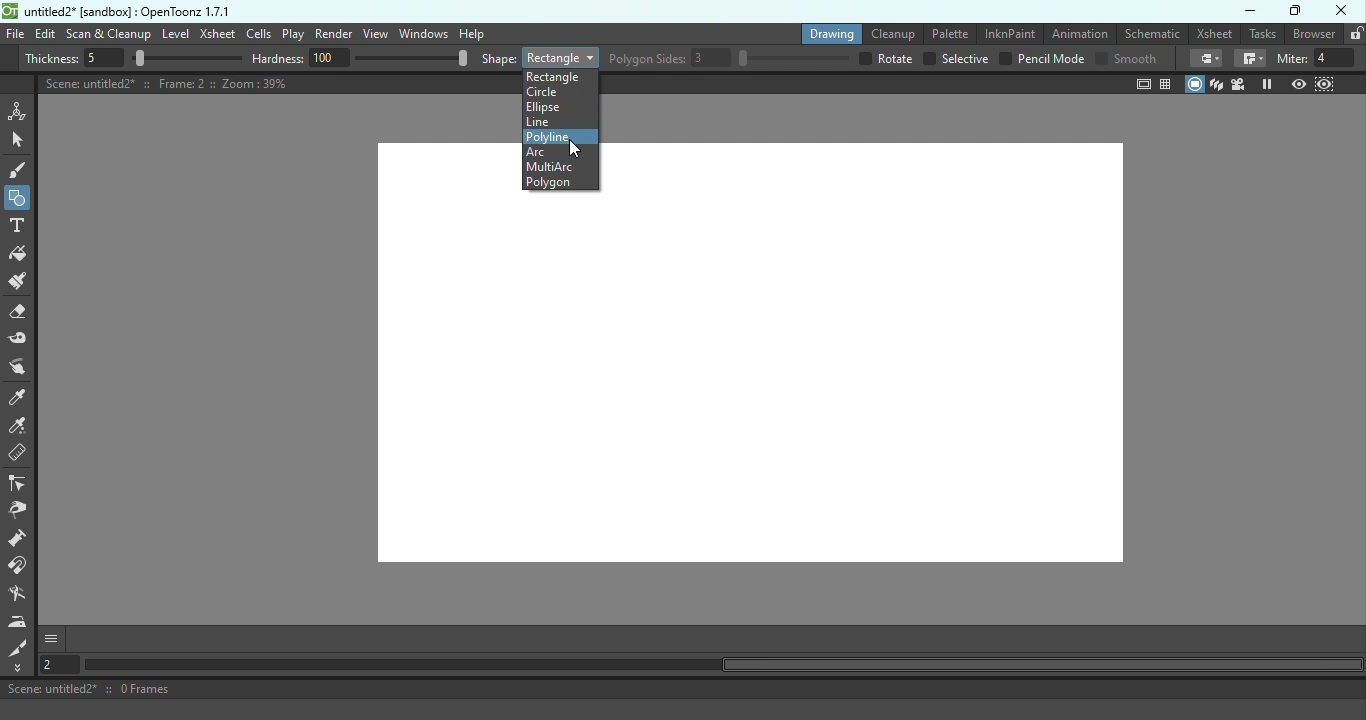  I want to click on Hardness, so click(361, 59).